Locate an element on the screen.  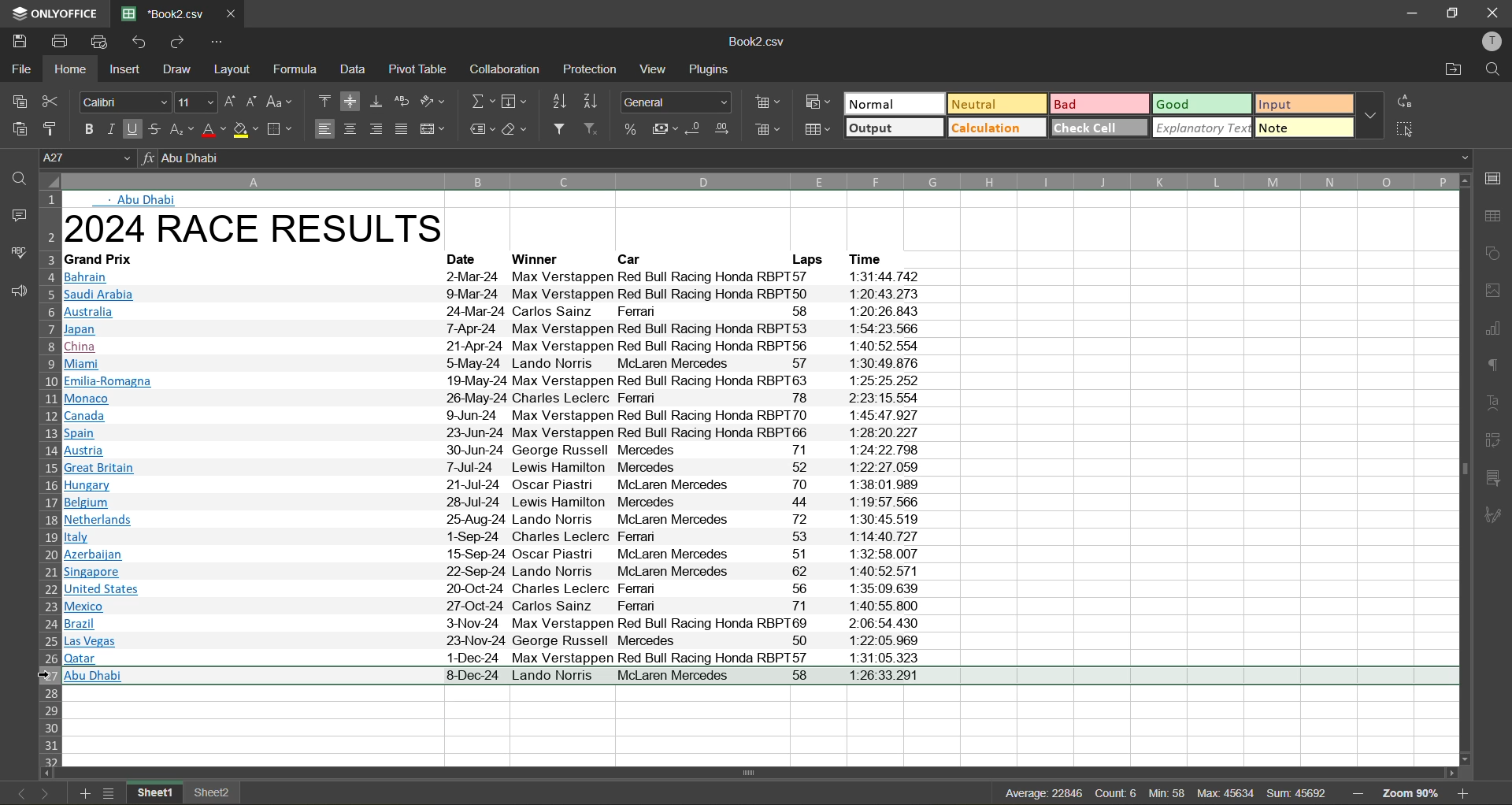
copy is located at coordinates (20, 101).